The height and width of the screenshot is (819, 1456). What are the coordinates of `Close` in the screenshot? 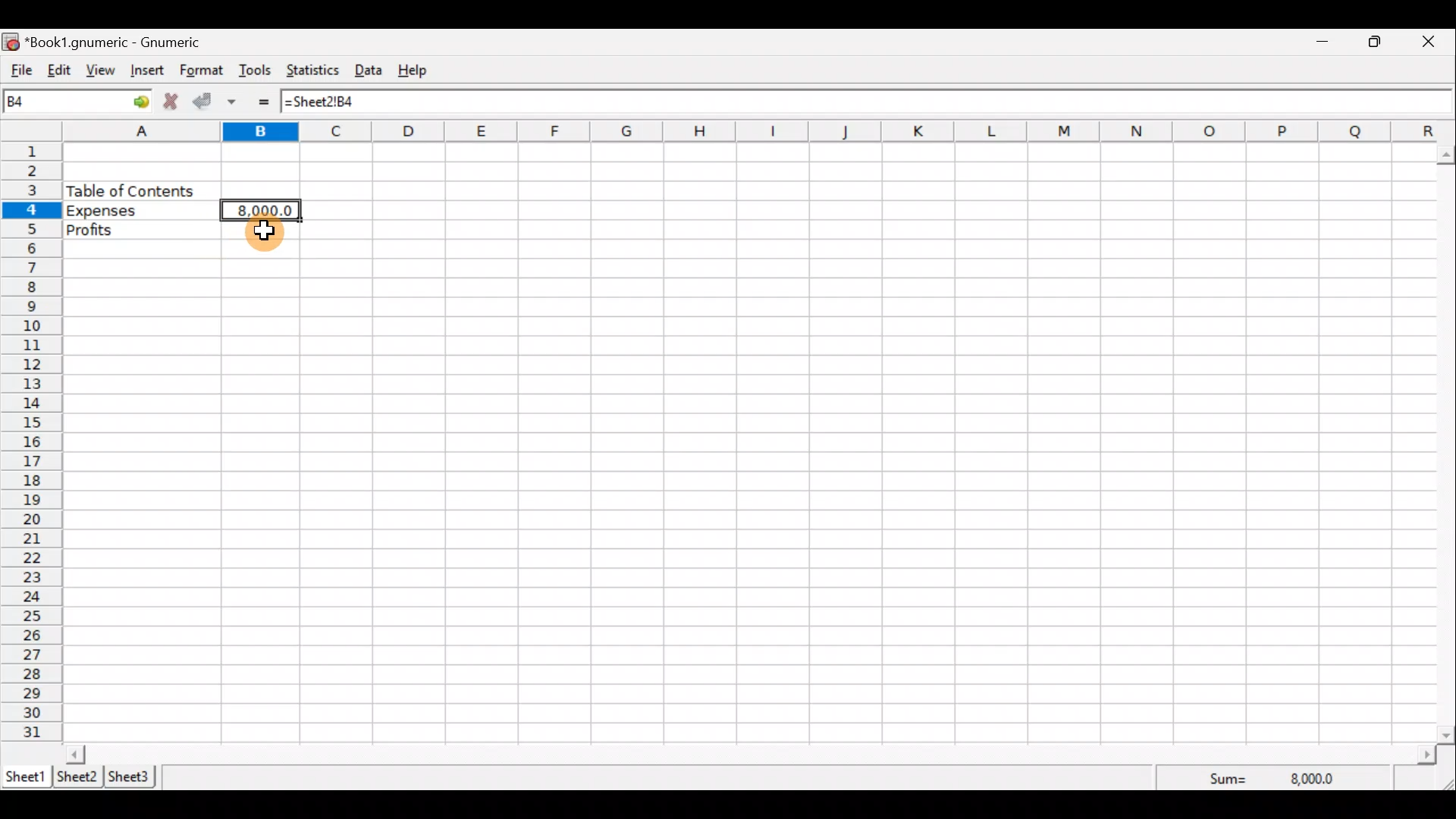 It's located at (1435, 42).